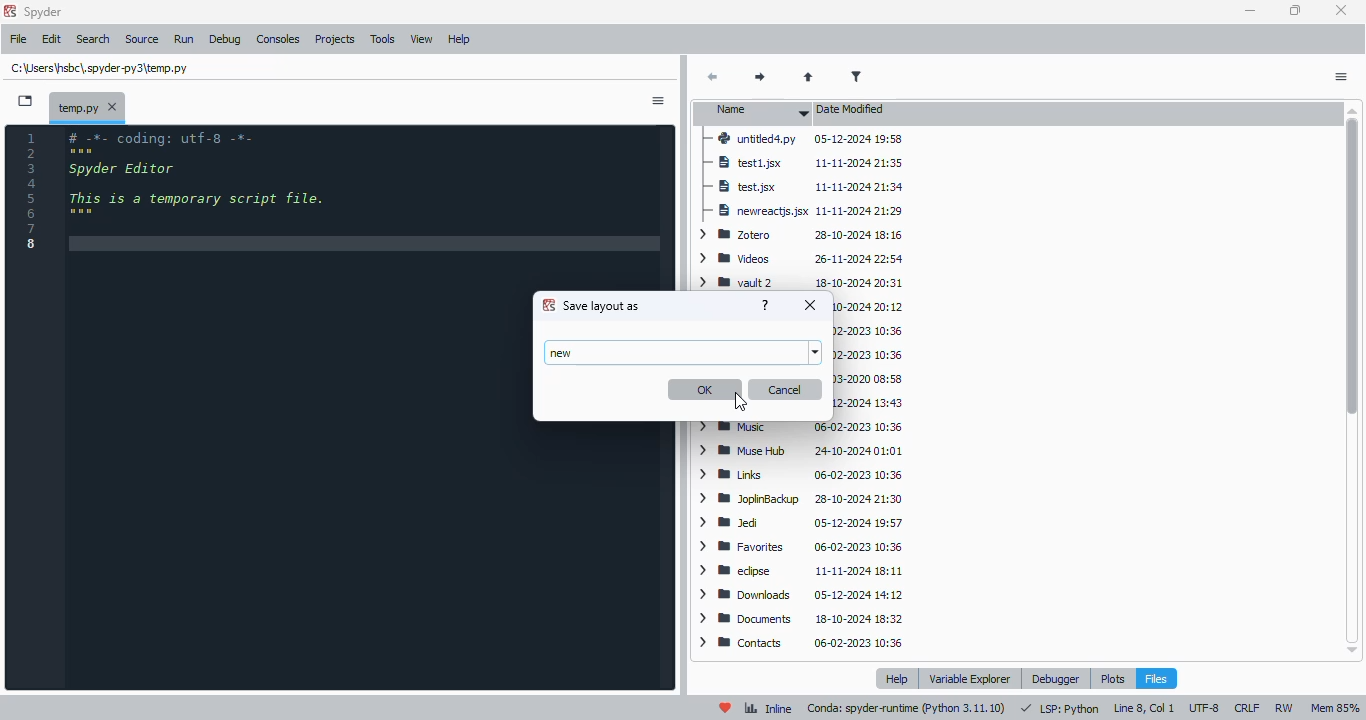  I want to click on next, so click(760, 78).